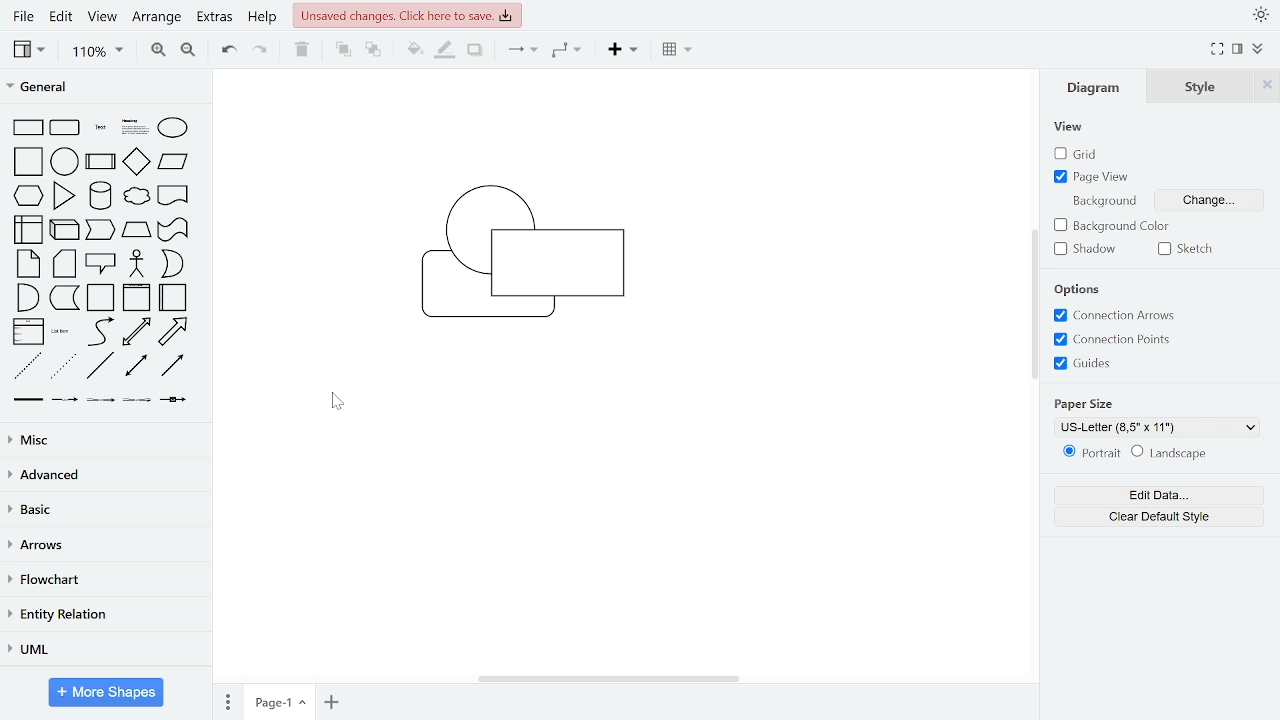  What do you see at coordinates (1092, 177) in the screenshot?
I see `page view` at bounding box center [1092, 177].